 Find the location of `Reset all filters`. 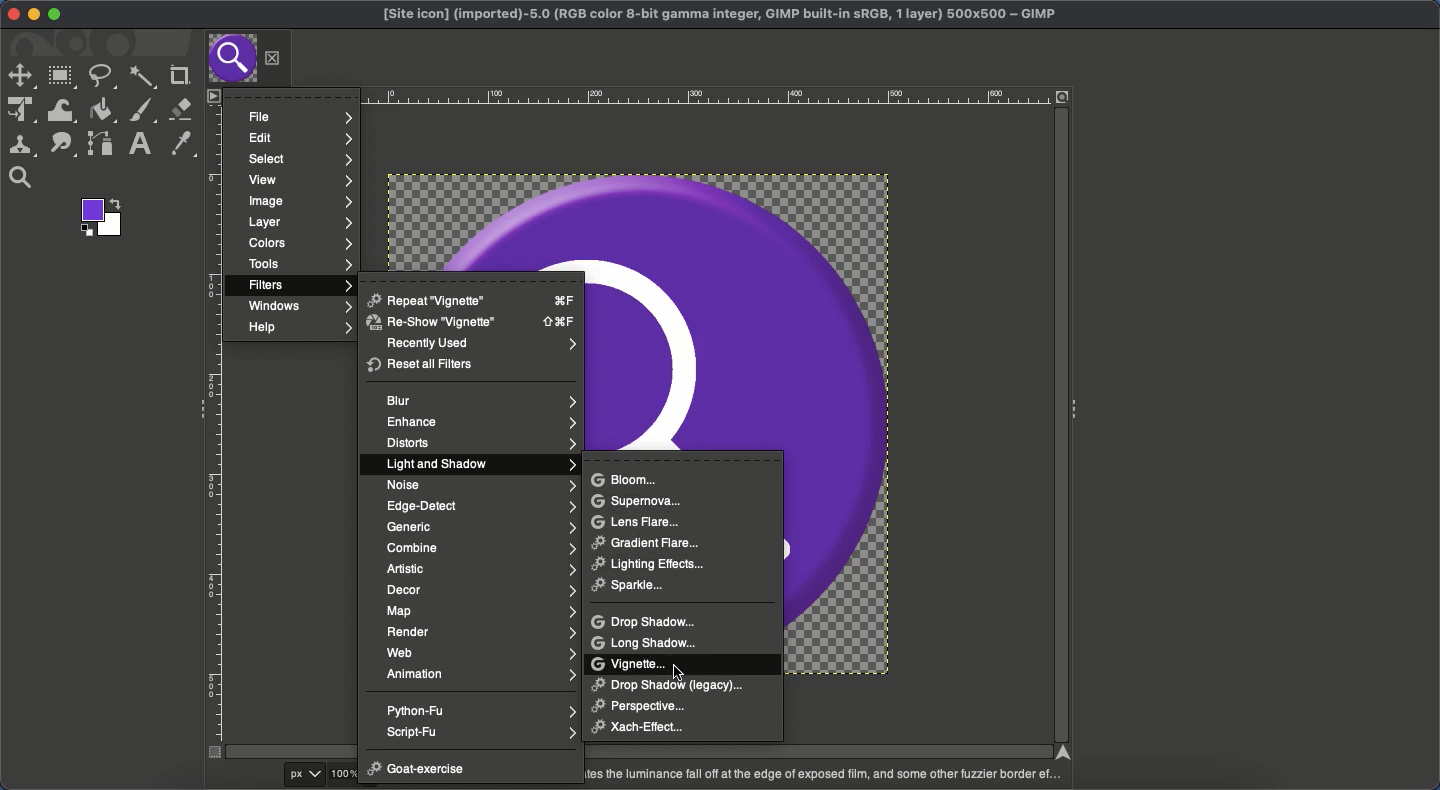

Reset all filters is located at coordinates (422, 365).